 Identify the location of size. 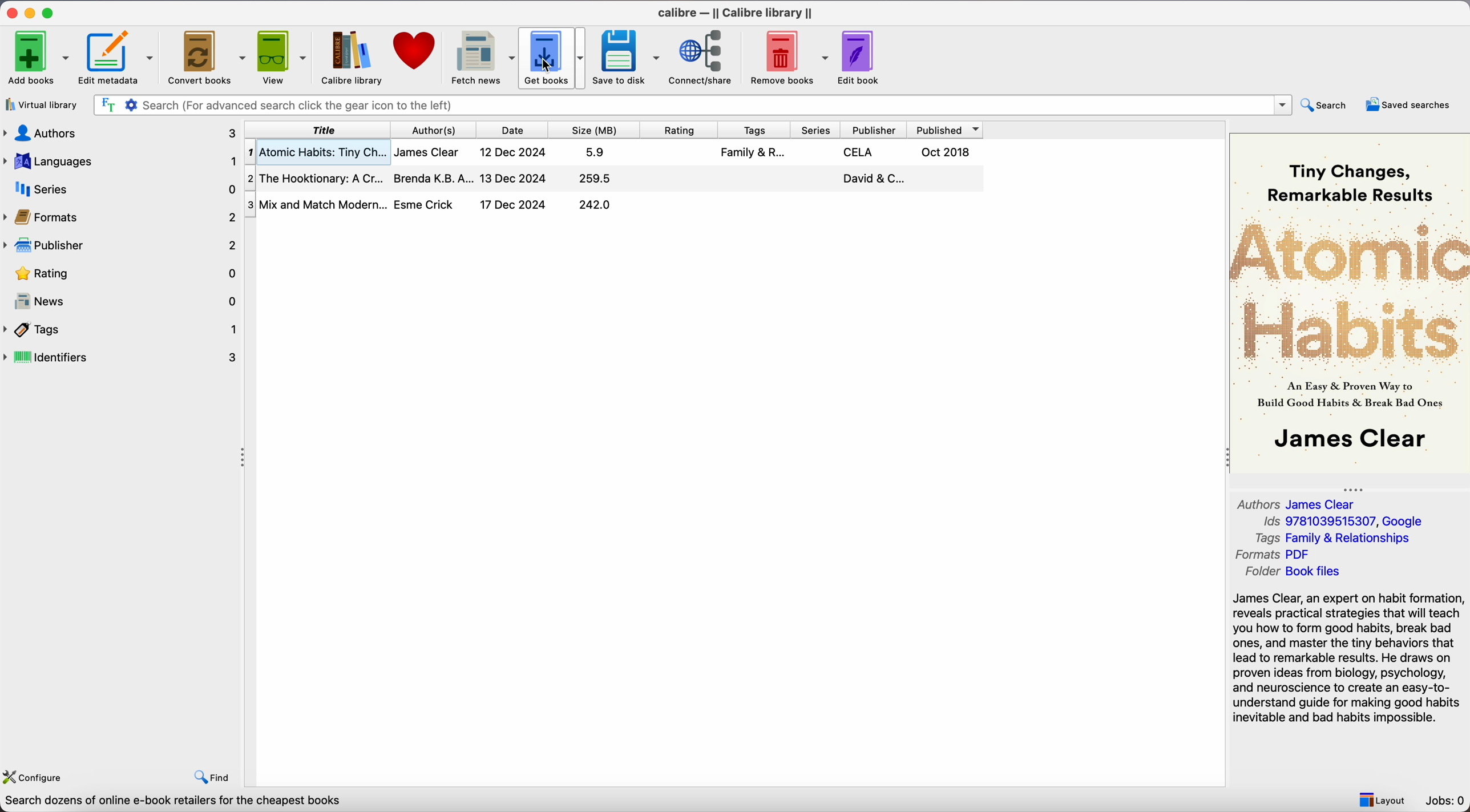
(599, 130).